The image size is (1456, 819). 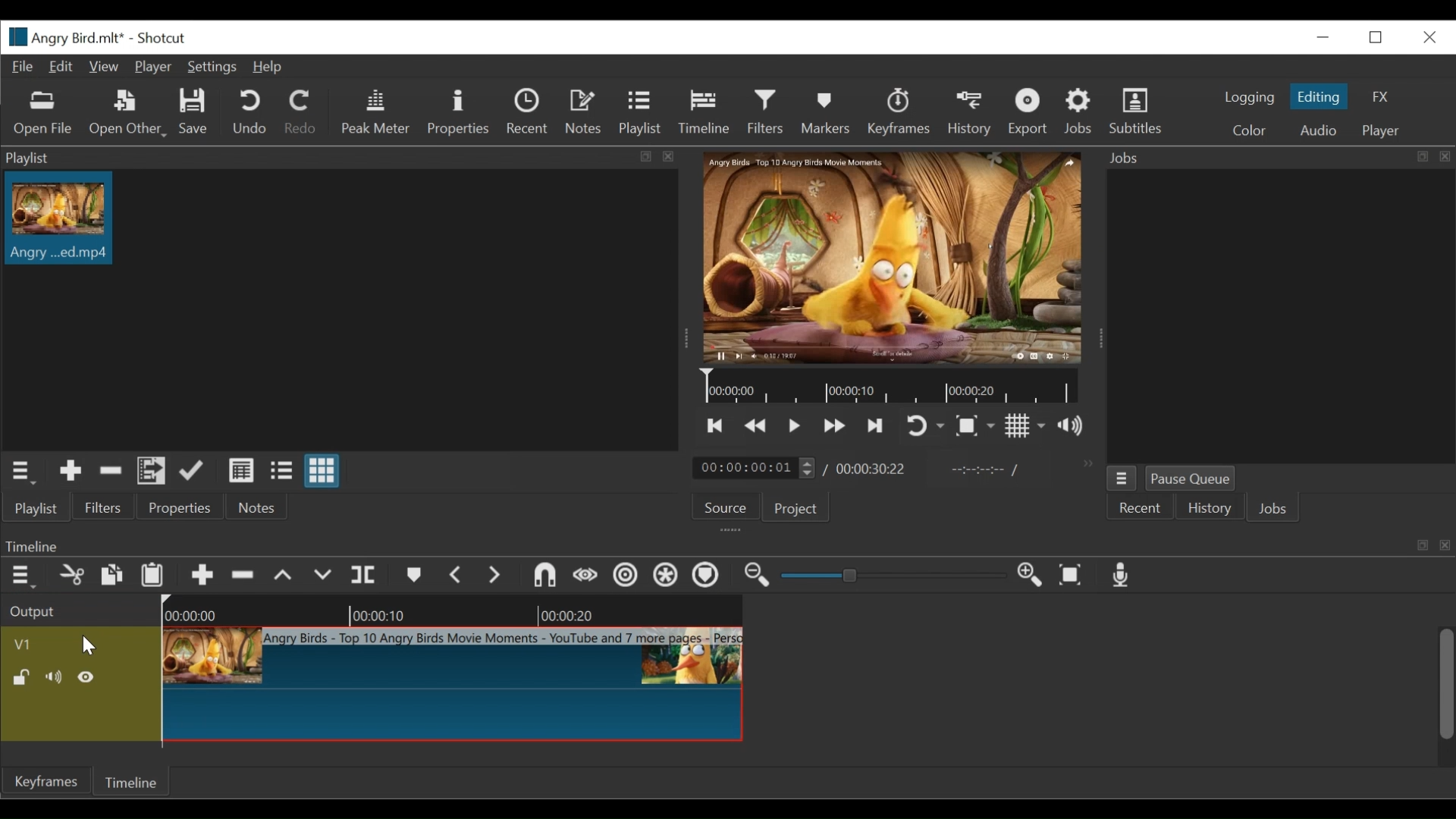 I want to click on Split at playhead, so click(x=365, y=577).